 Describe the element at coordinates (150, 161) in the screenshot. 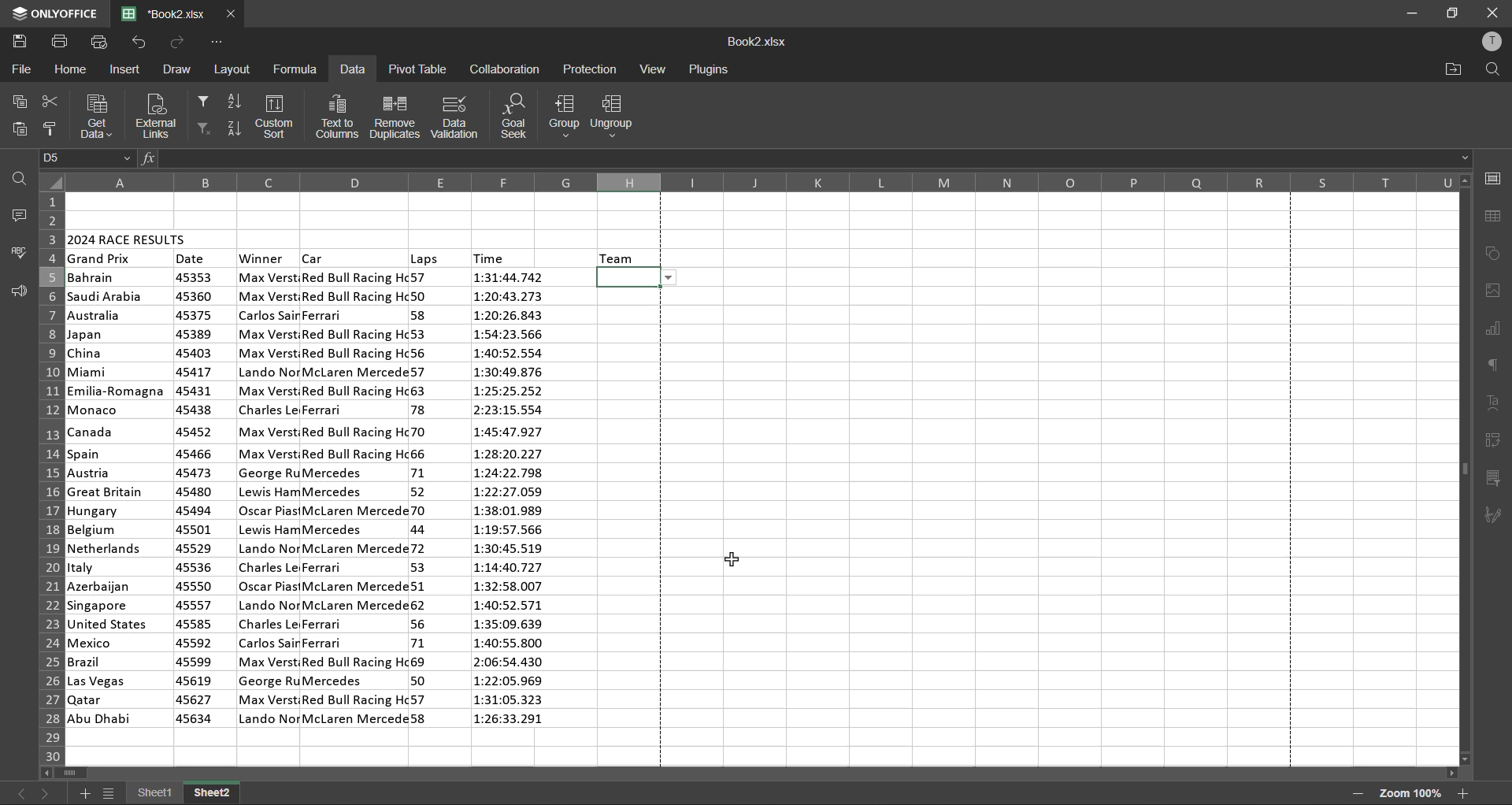

I see `fx` at that location.